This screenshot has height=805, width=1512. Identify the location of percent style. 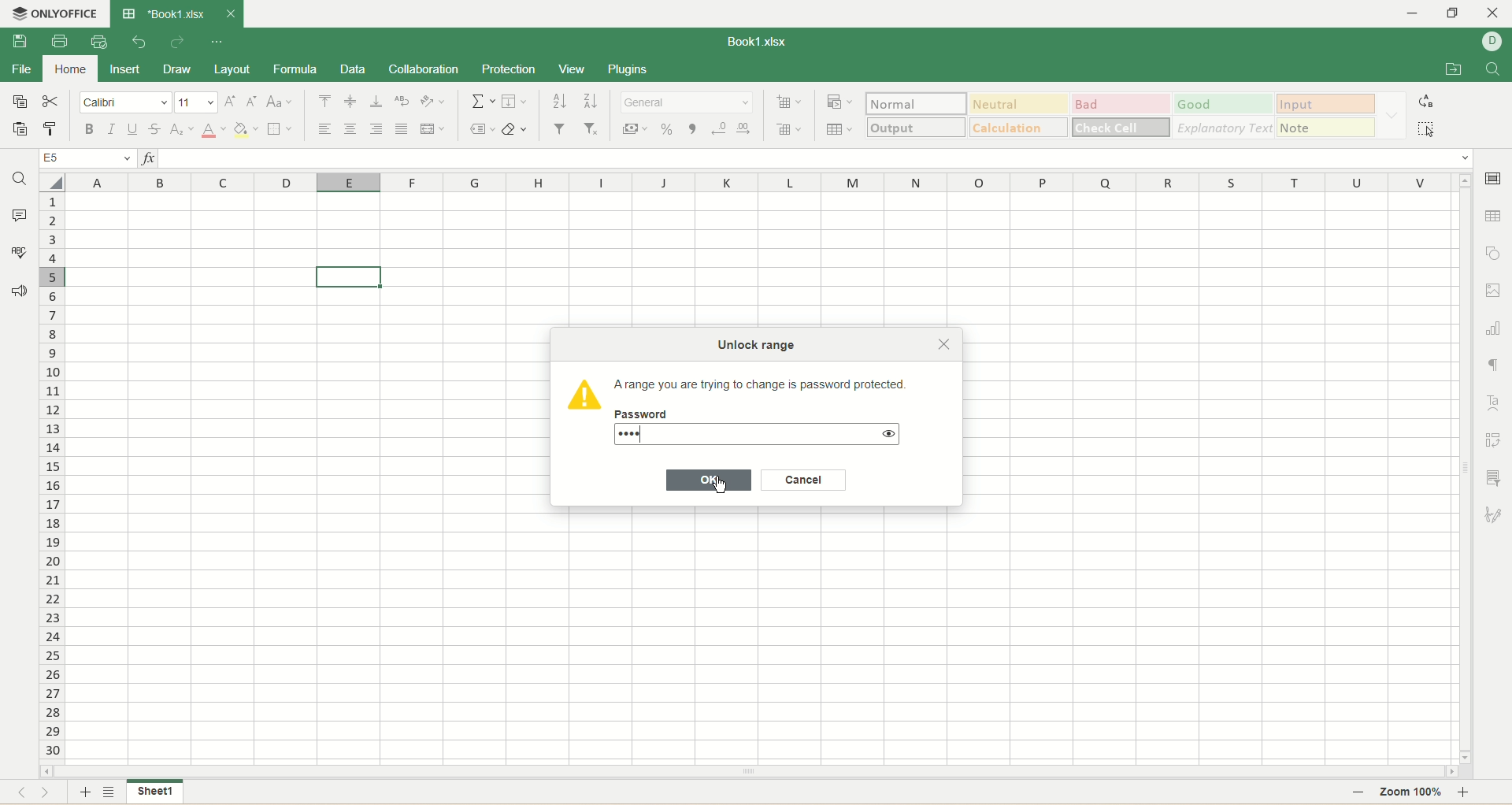
(668, 129).